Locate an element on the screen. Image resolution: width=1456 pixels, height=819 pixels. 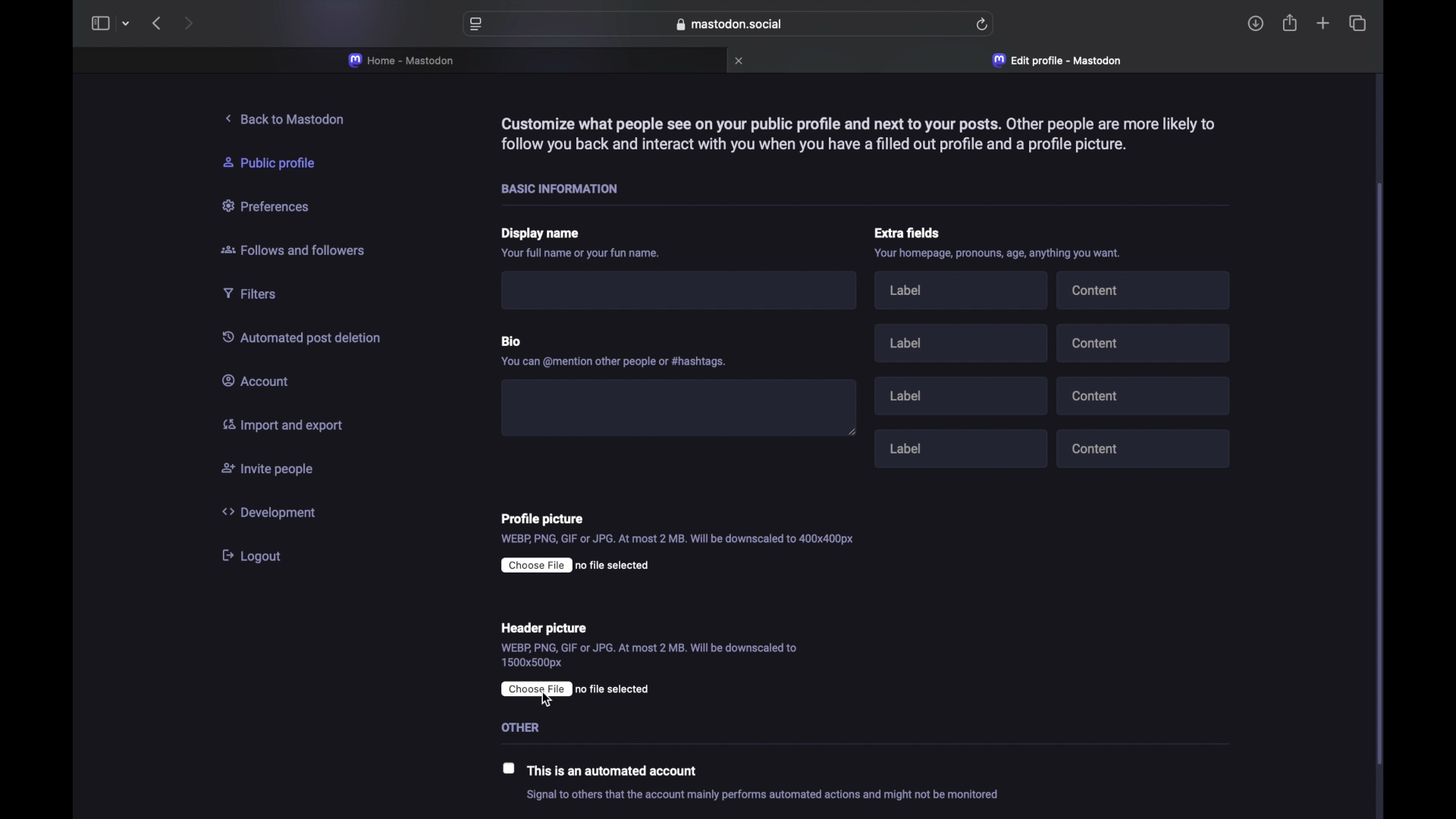
invite people is located at coordinates (268, 470).